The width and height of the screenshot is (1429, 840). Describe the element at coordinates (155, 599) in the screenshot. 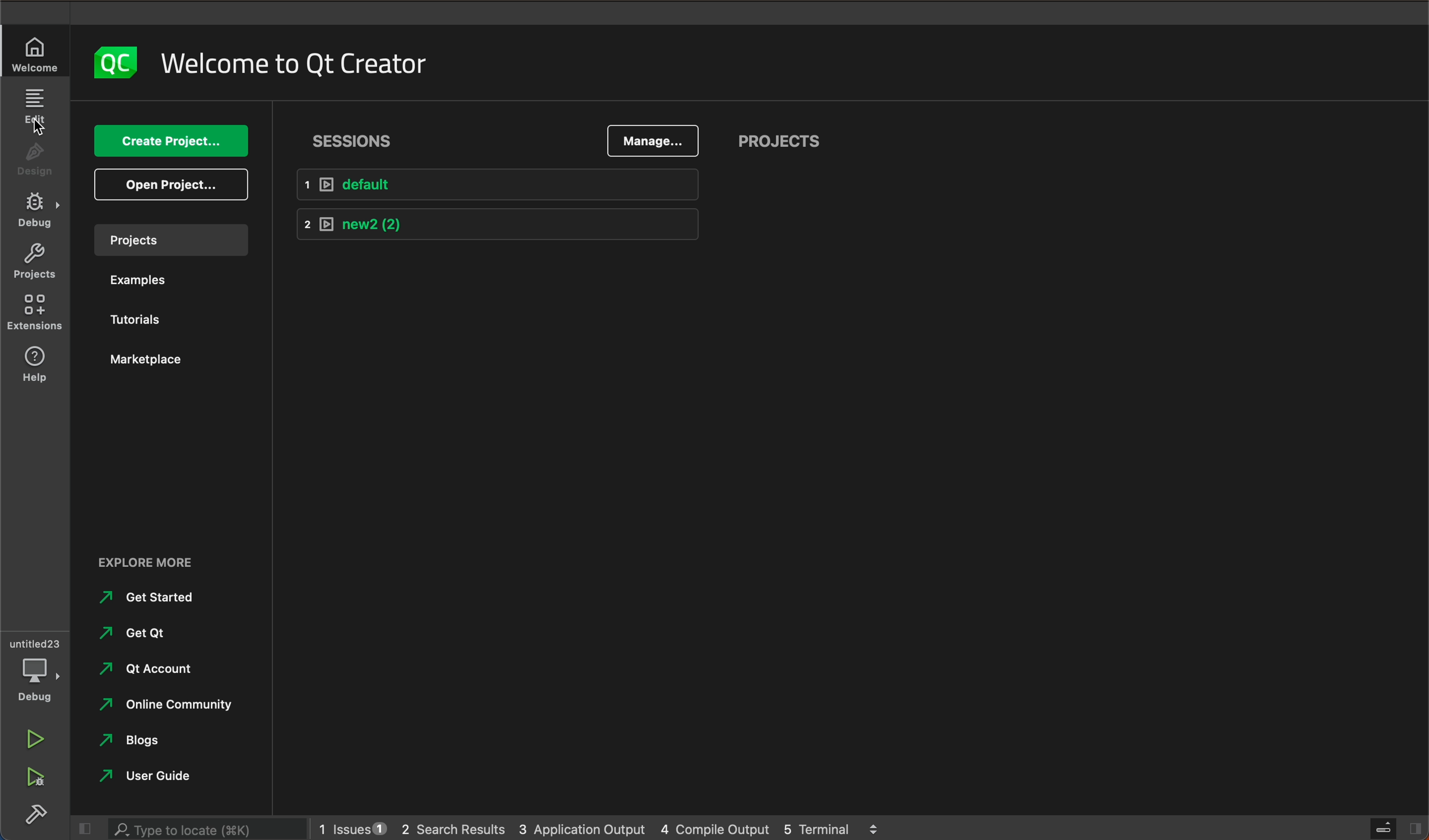

I see `get started` at that location.